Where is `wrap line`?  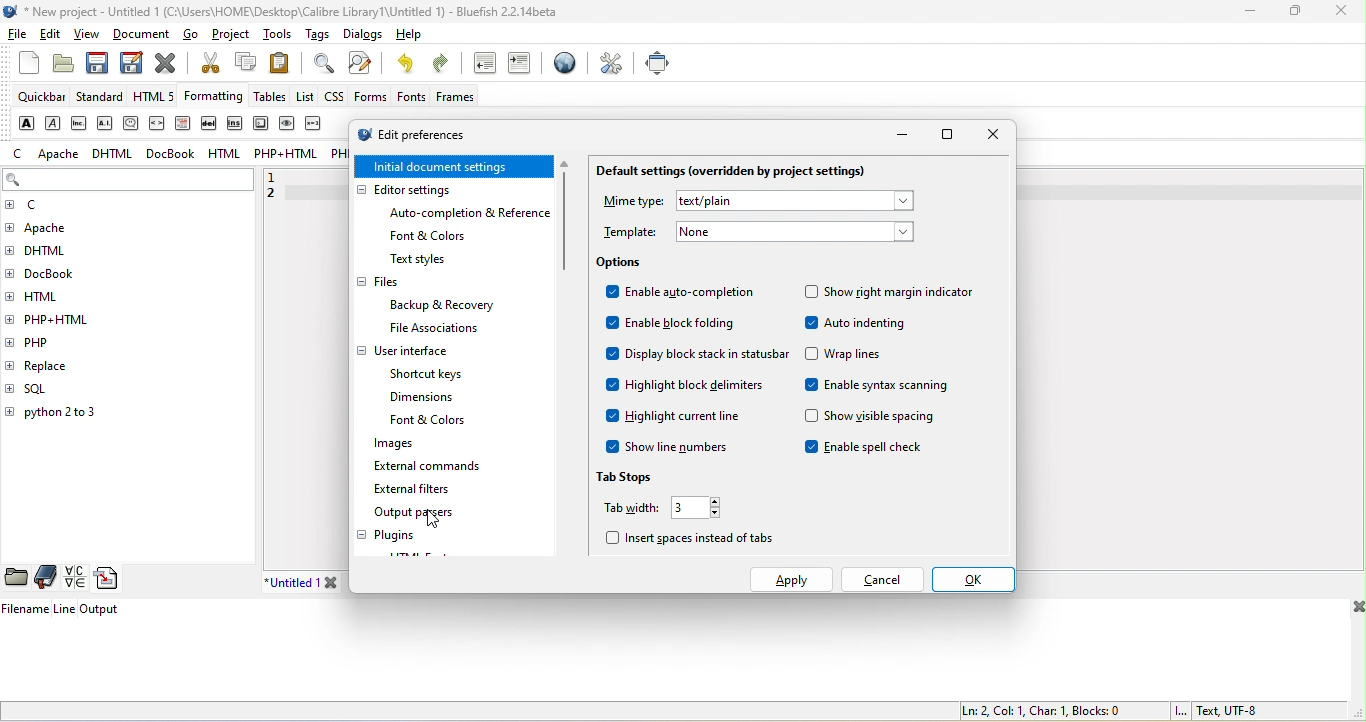 wrap line is located at coordinates (848, 356).